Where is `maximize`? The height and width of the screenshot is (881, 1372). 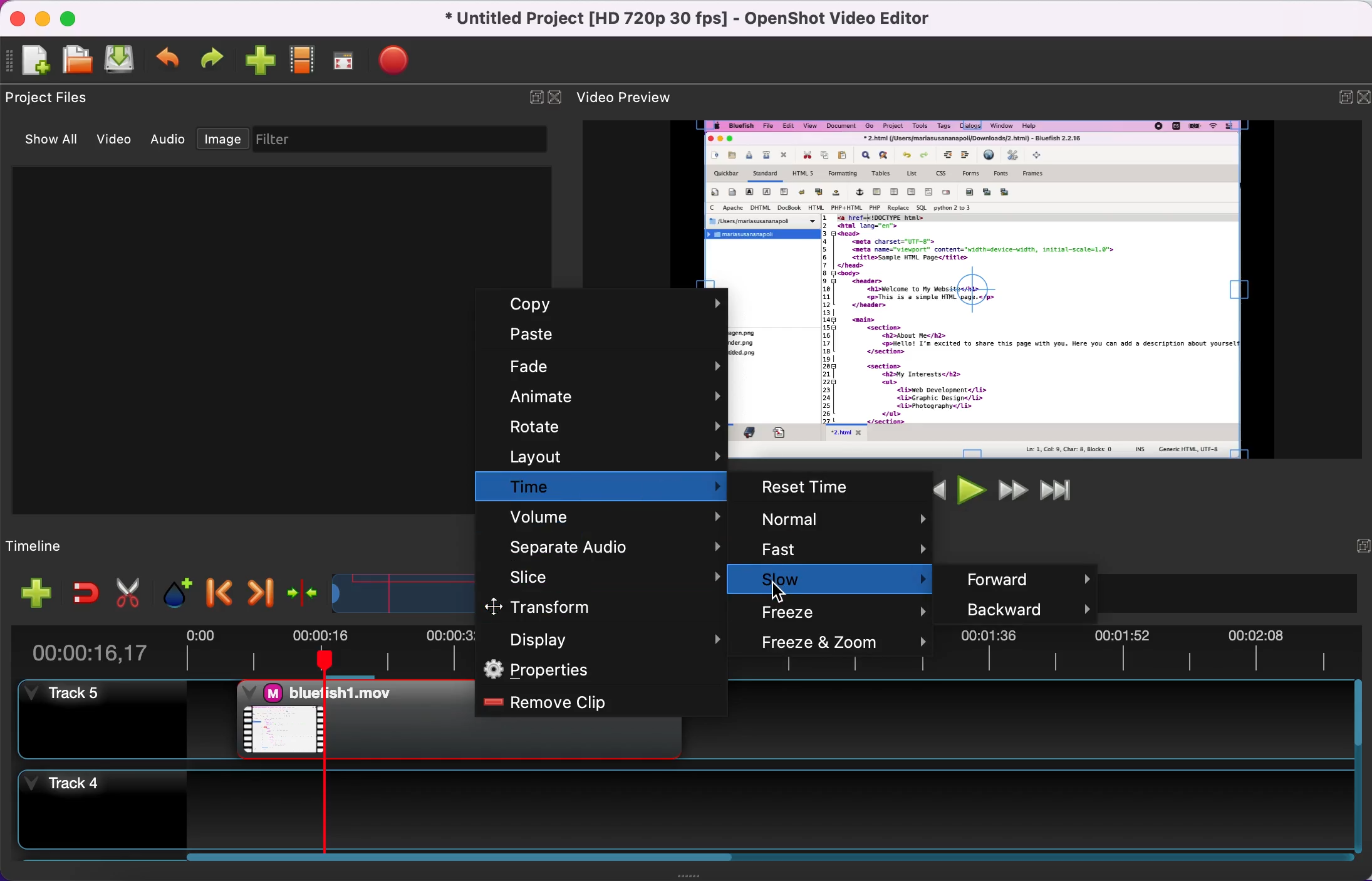 maximize is located at coordinates (75, 17).